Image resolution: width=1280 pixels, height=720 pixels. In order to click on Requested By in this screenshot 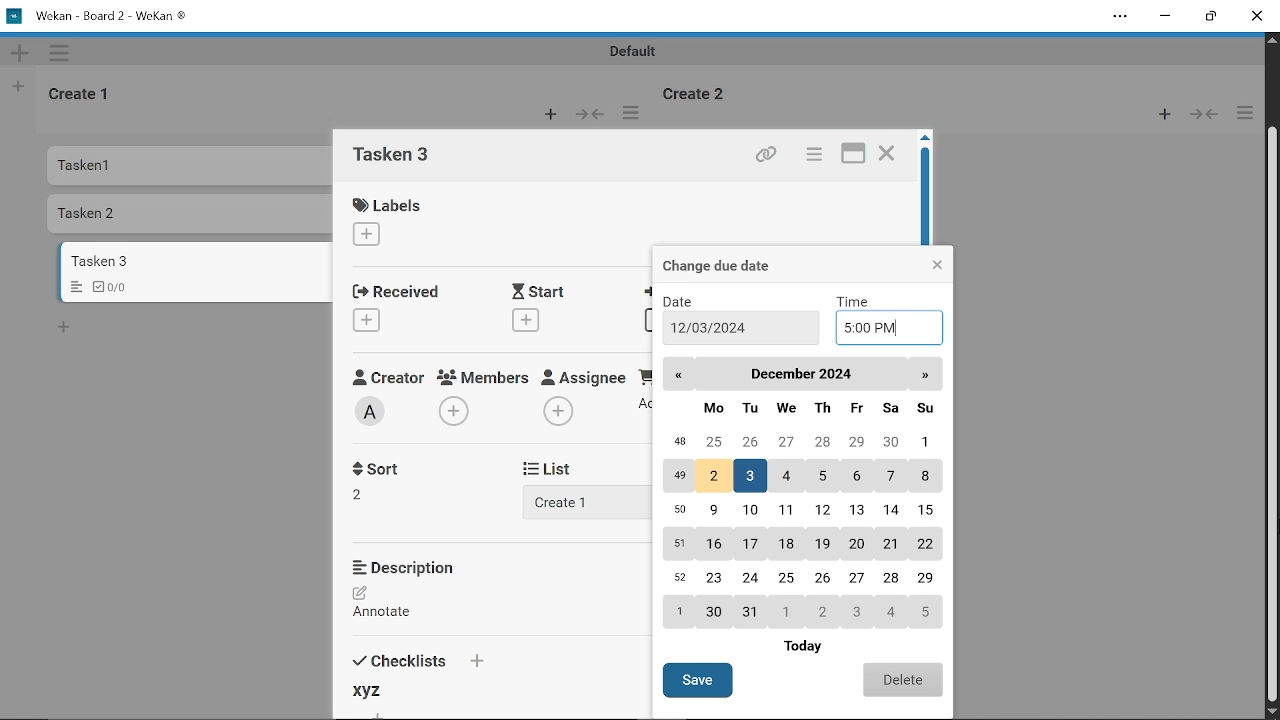, I will do `click(645, 375)`.